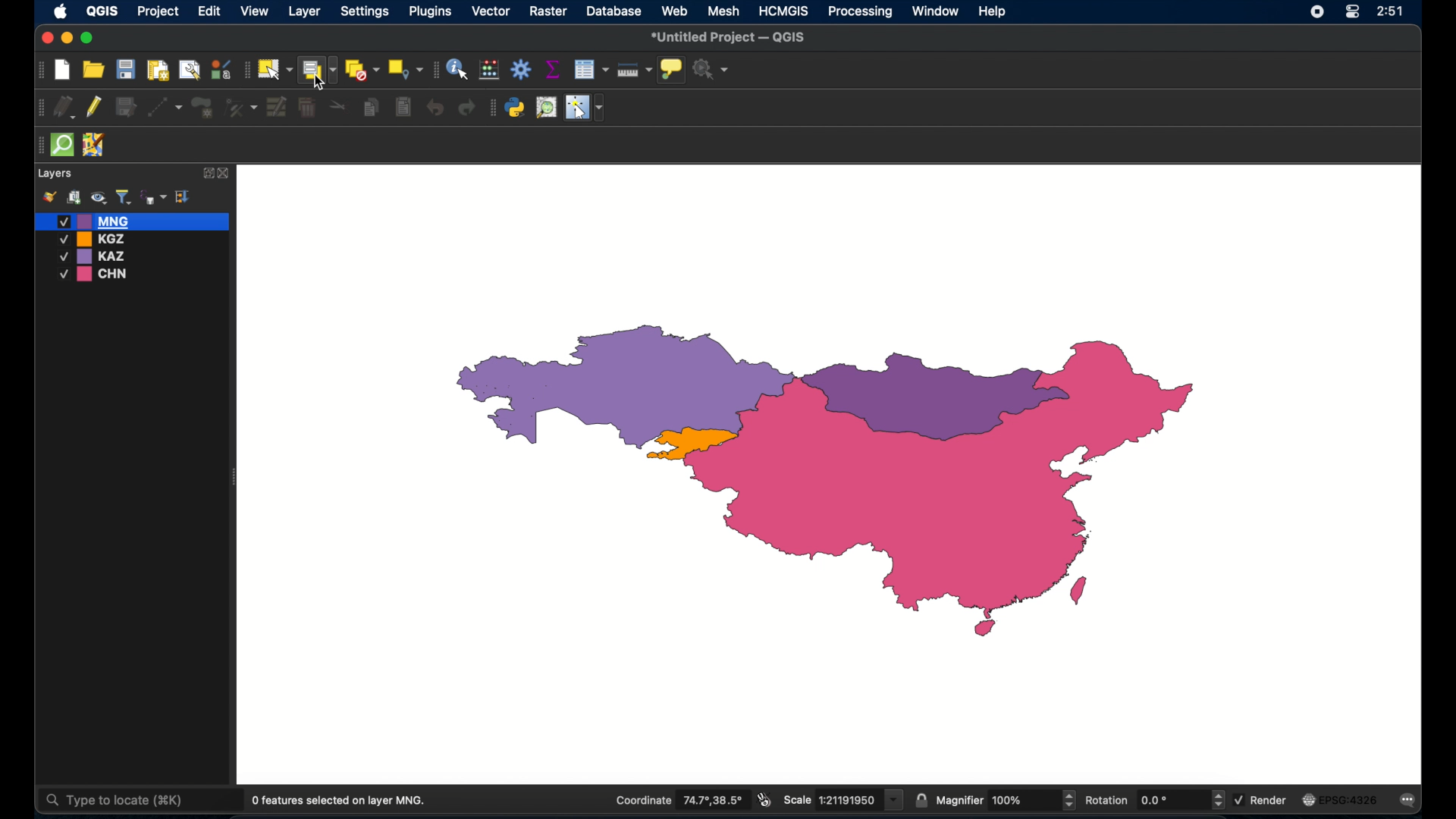  Describe the element at coordinates (245, 68) in the screenshot. I see `selection toolbar` at that location.